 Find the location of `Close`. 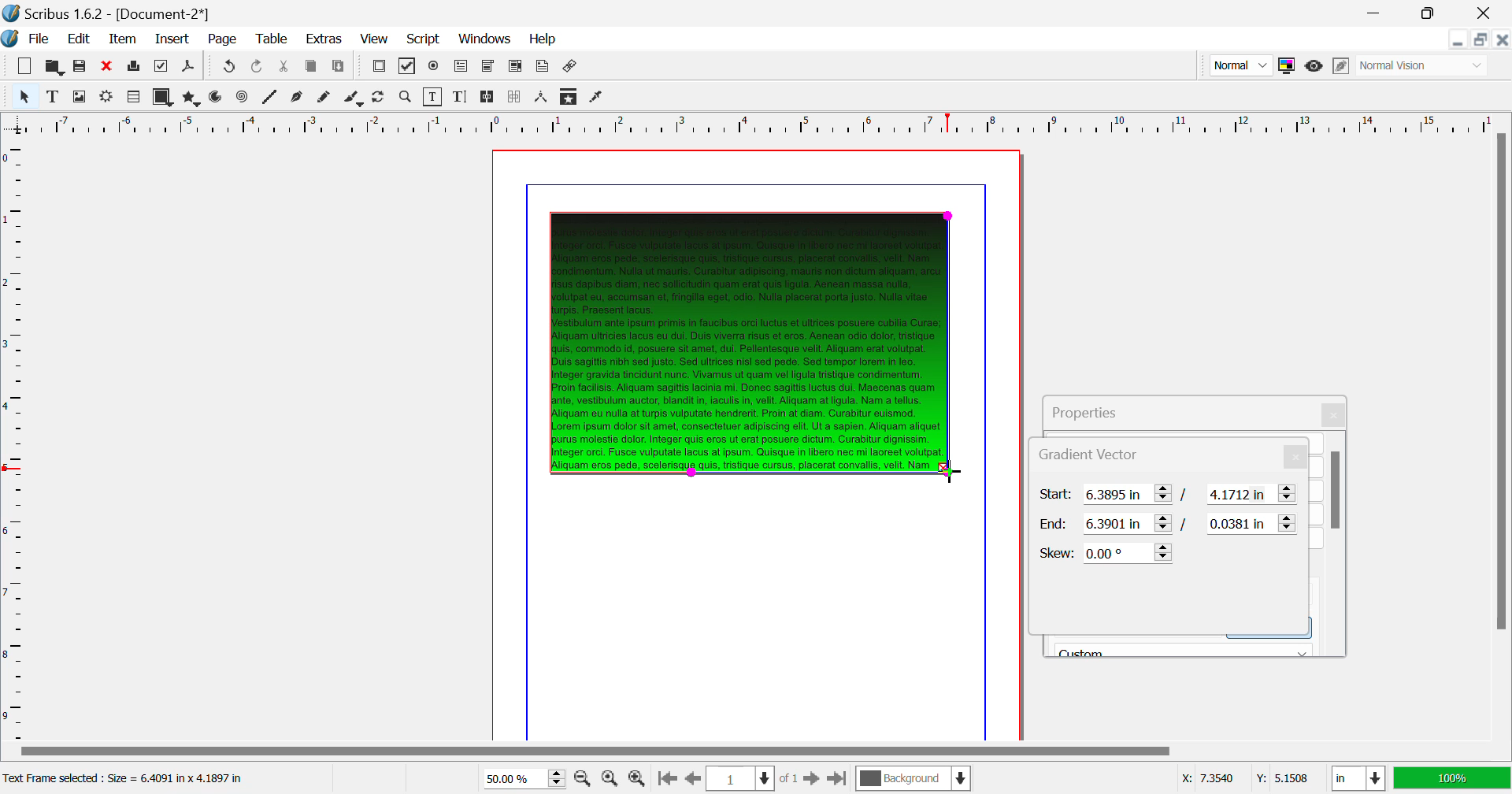

Close is located at coordinates (1488, 13).